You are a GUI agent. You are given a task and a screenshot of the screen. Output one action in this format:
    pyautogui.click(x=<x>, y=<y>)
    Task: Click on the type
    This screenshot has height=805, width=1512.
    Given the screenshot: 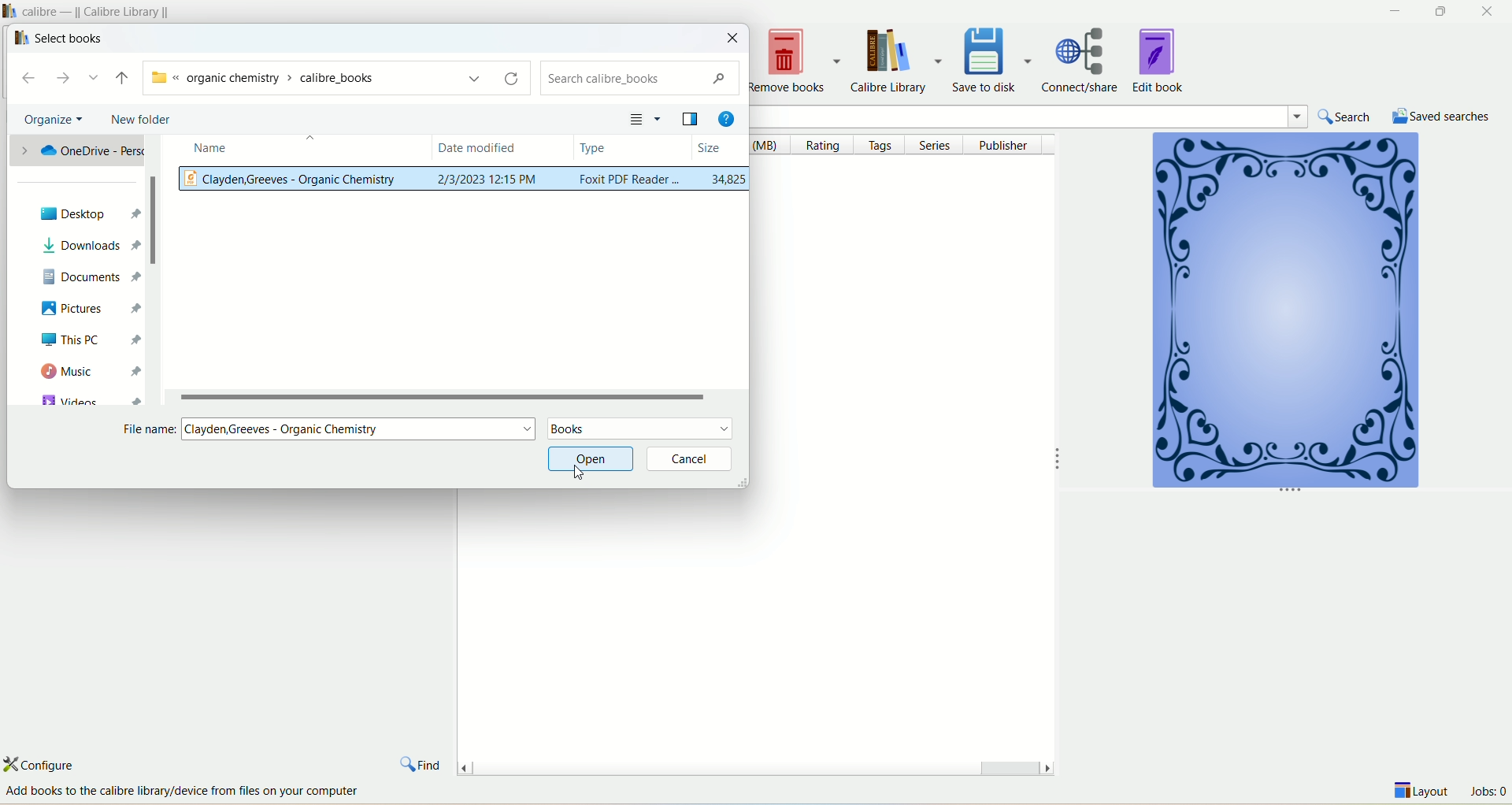 What is the action you would take?
    pyautogui.click(x=632, y=148)
    